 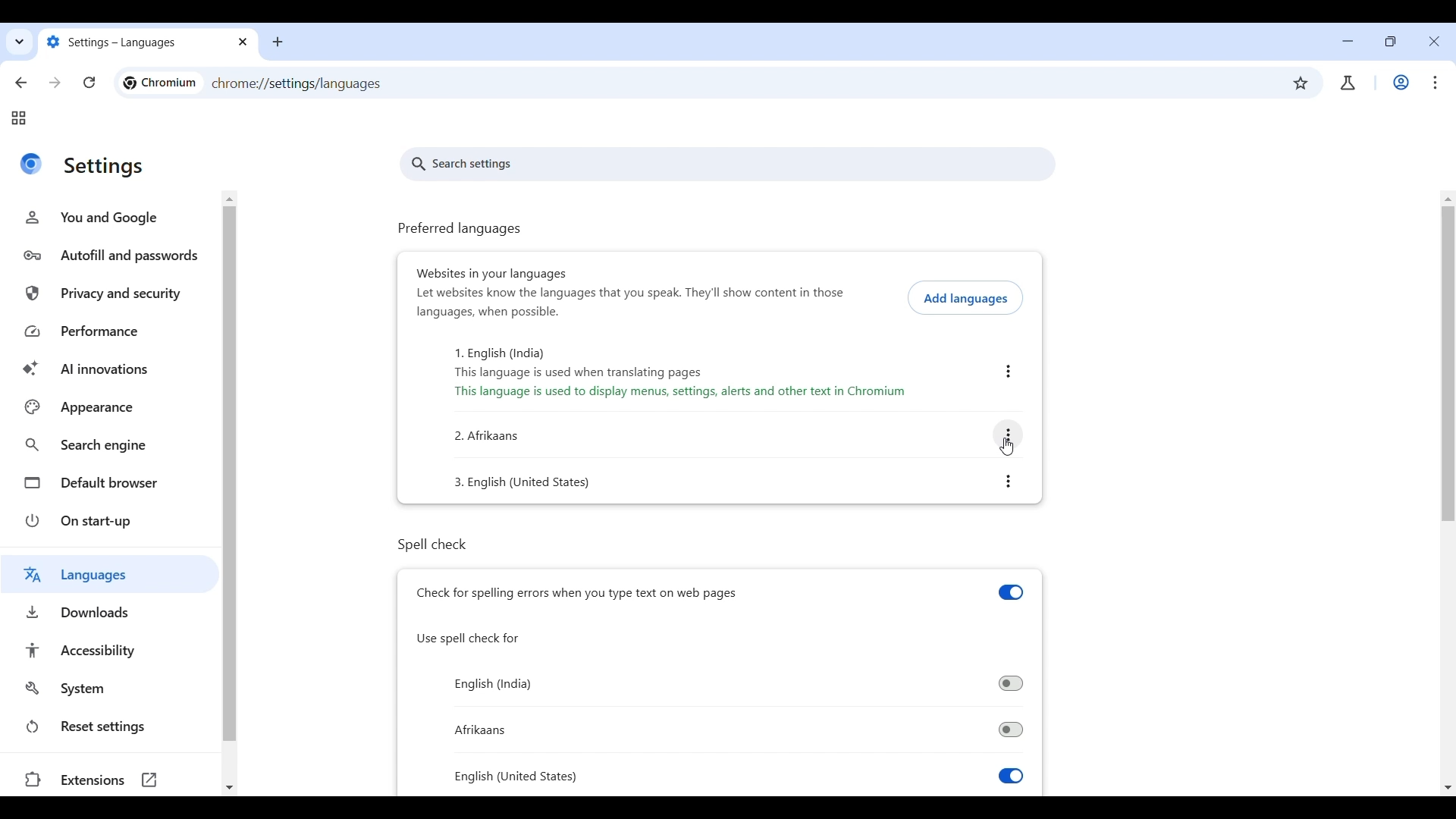 I want to click on search settings, so click(x=730, y=165).